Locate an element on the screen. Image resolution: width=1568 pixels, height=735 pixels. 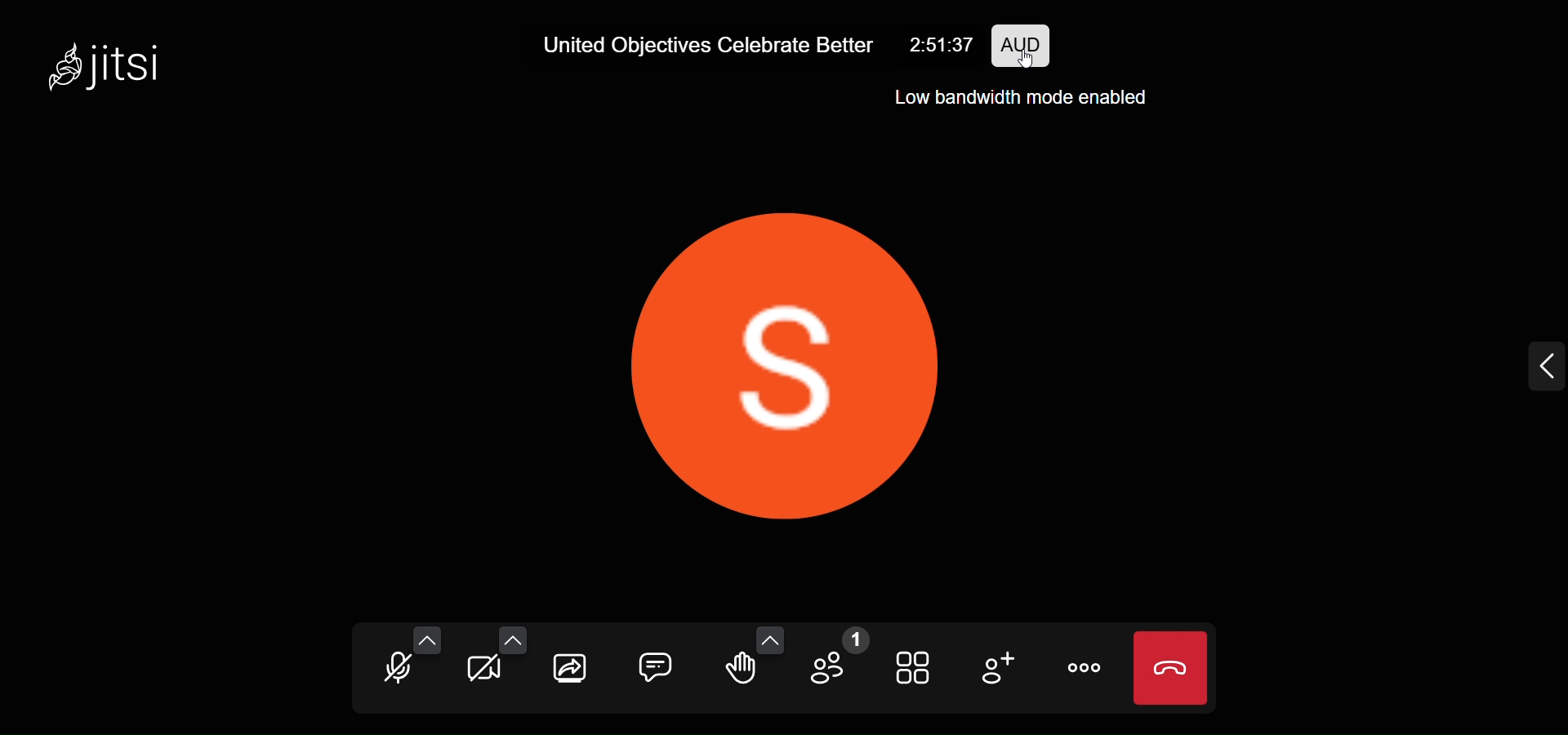
performance setting is located at coordinates (1026, 45).